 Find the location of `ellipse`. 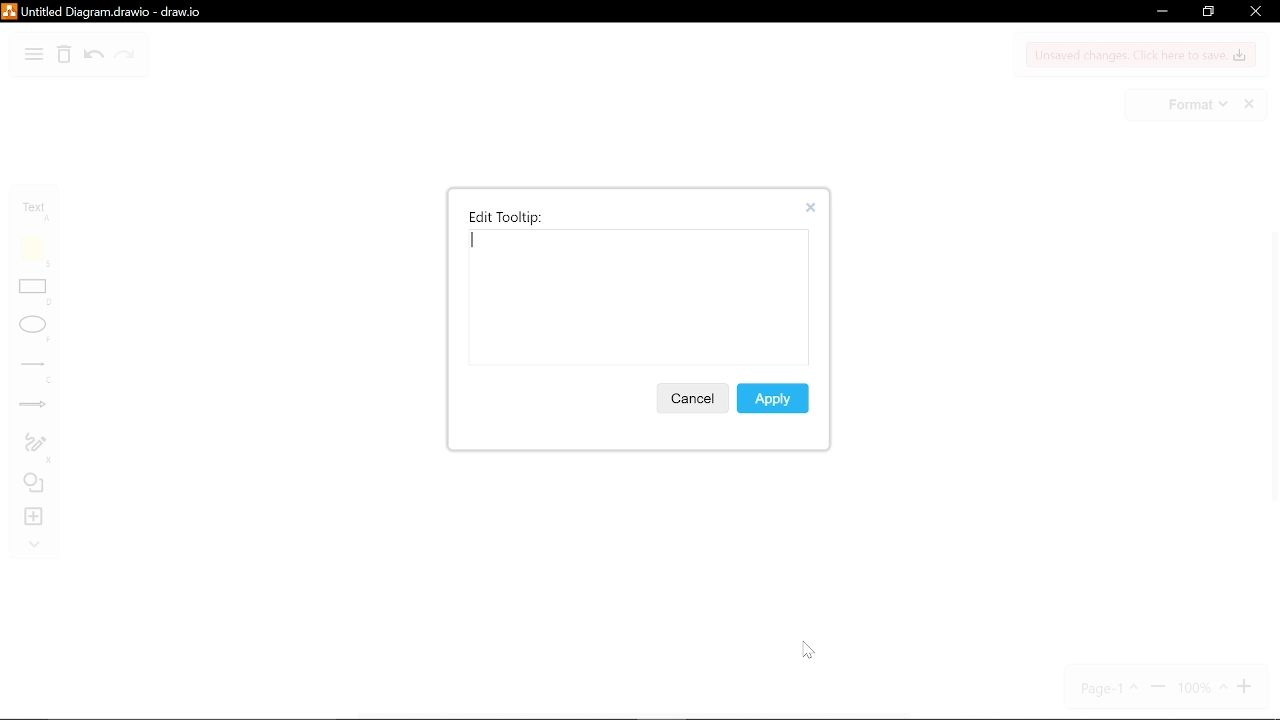

ellipse is located at coordinates (35, 330).